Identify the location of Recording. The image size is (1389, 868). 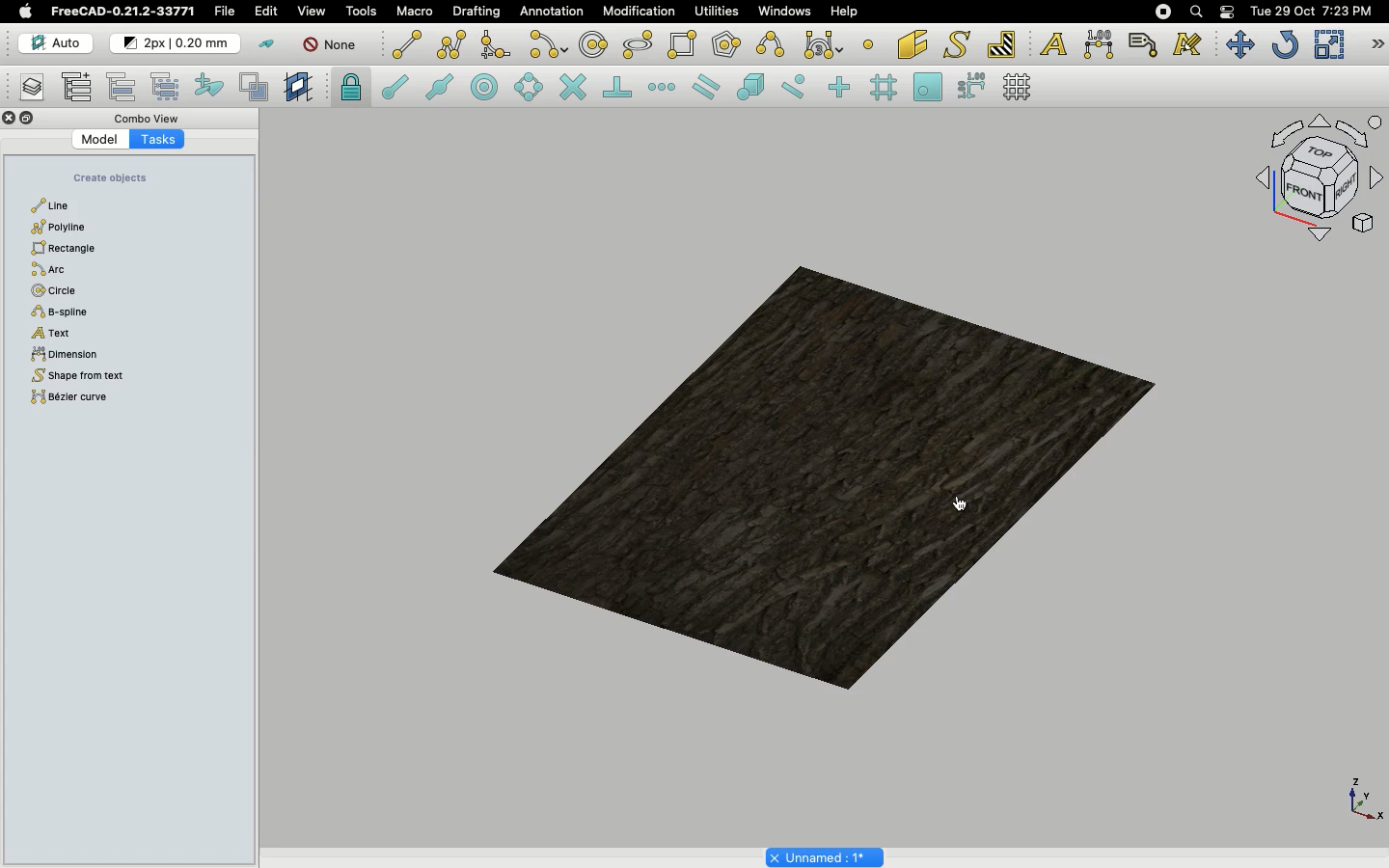
(1162, 11).